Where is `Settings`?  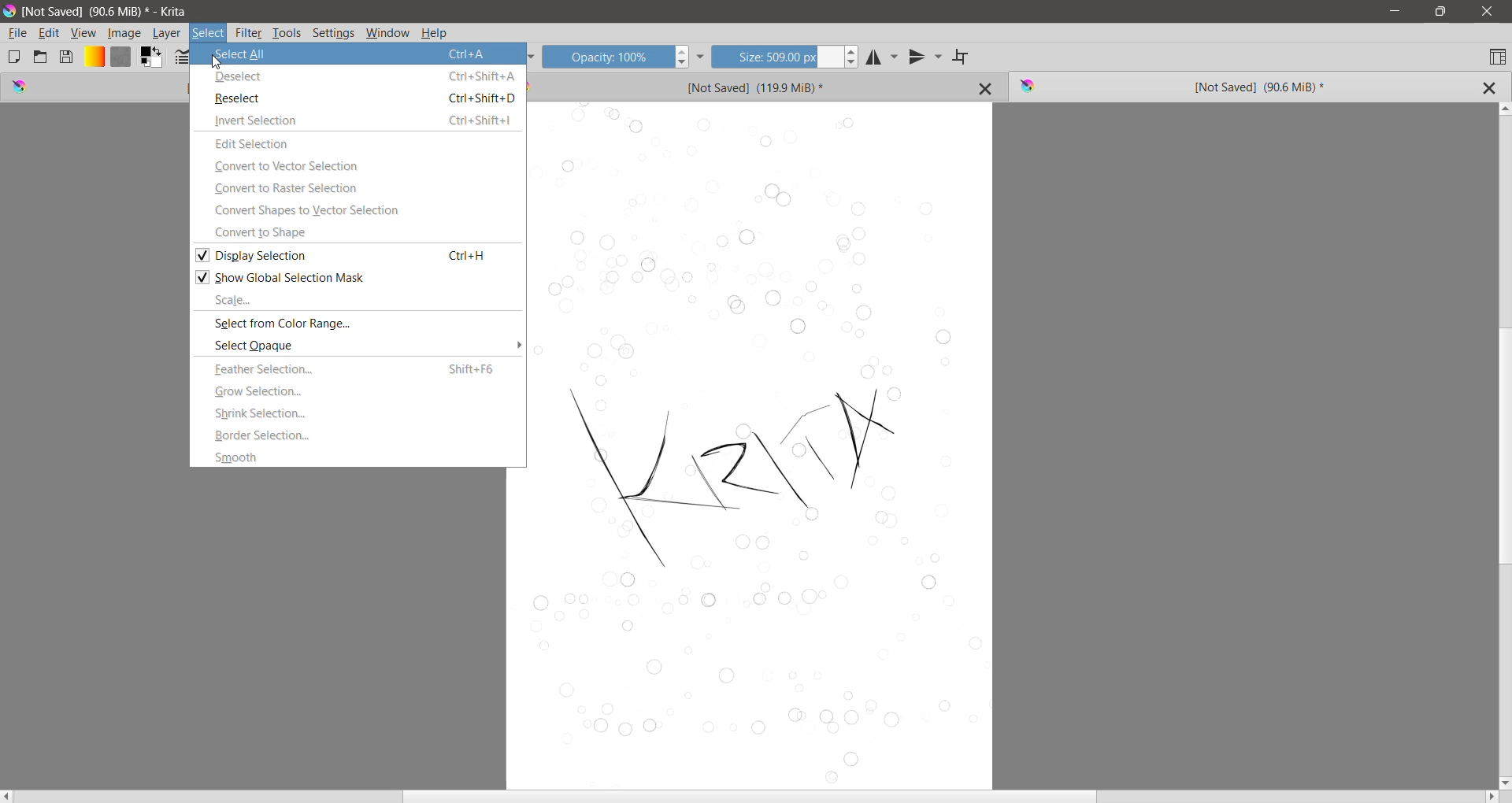 Settings is located at coordinates (334, 34).